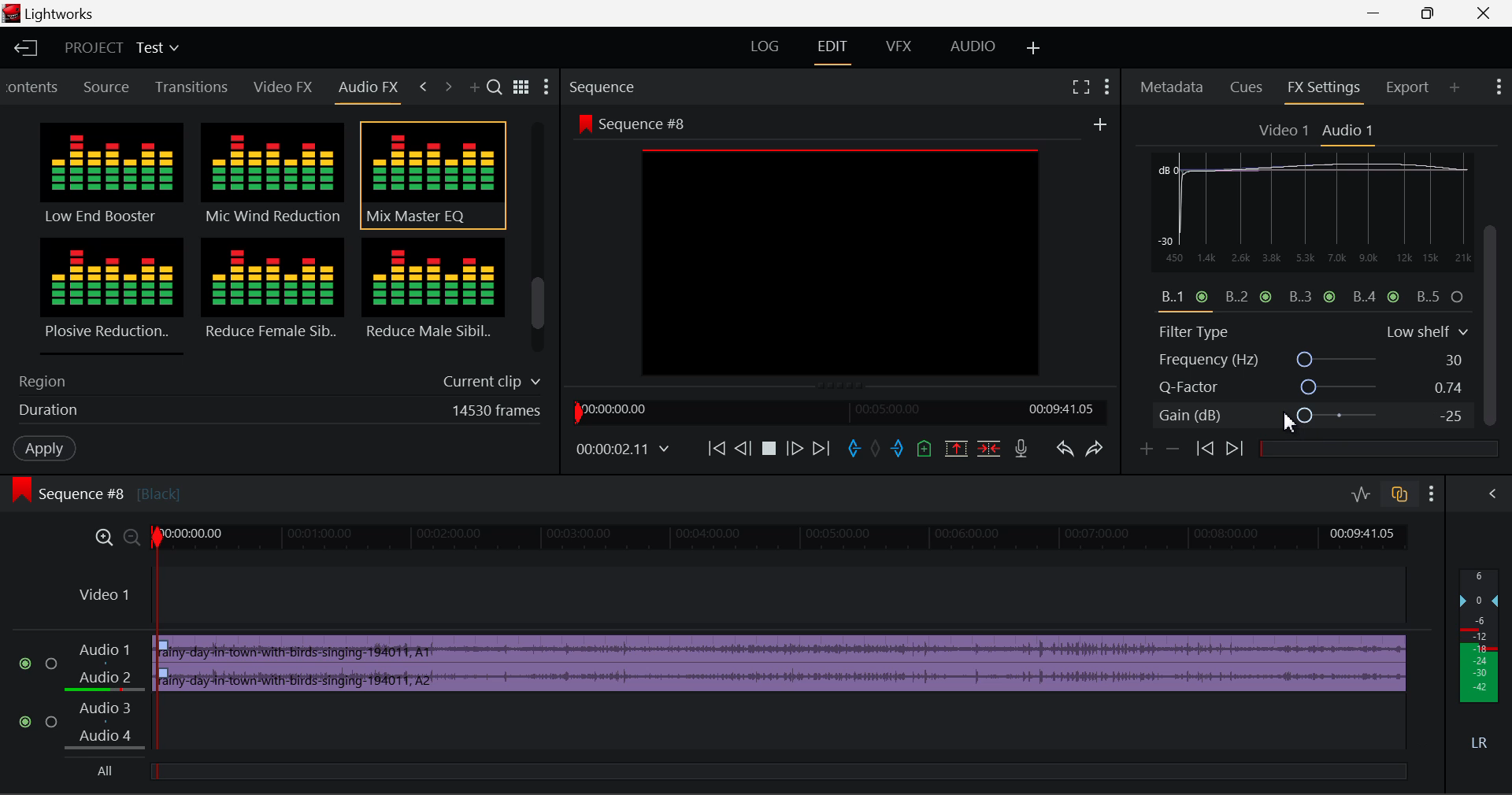 The image size is (1512, 795). What do you see at coordinates (1143, 452) in the screenshot?
I see `Add keyframe` at bounding box center [1143, 452].